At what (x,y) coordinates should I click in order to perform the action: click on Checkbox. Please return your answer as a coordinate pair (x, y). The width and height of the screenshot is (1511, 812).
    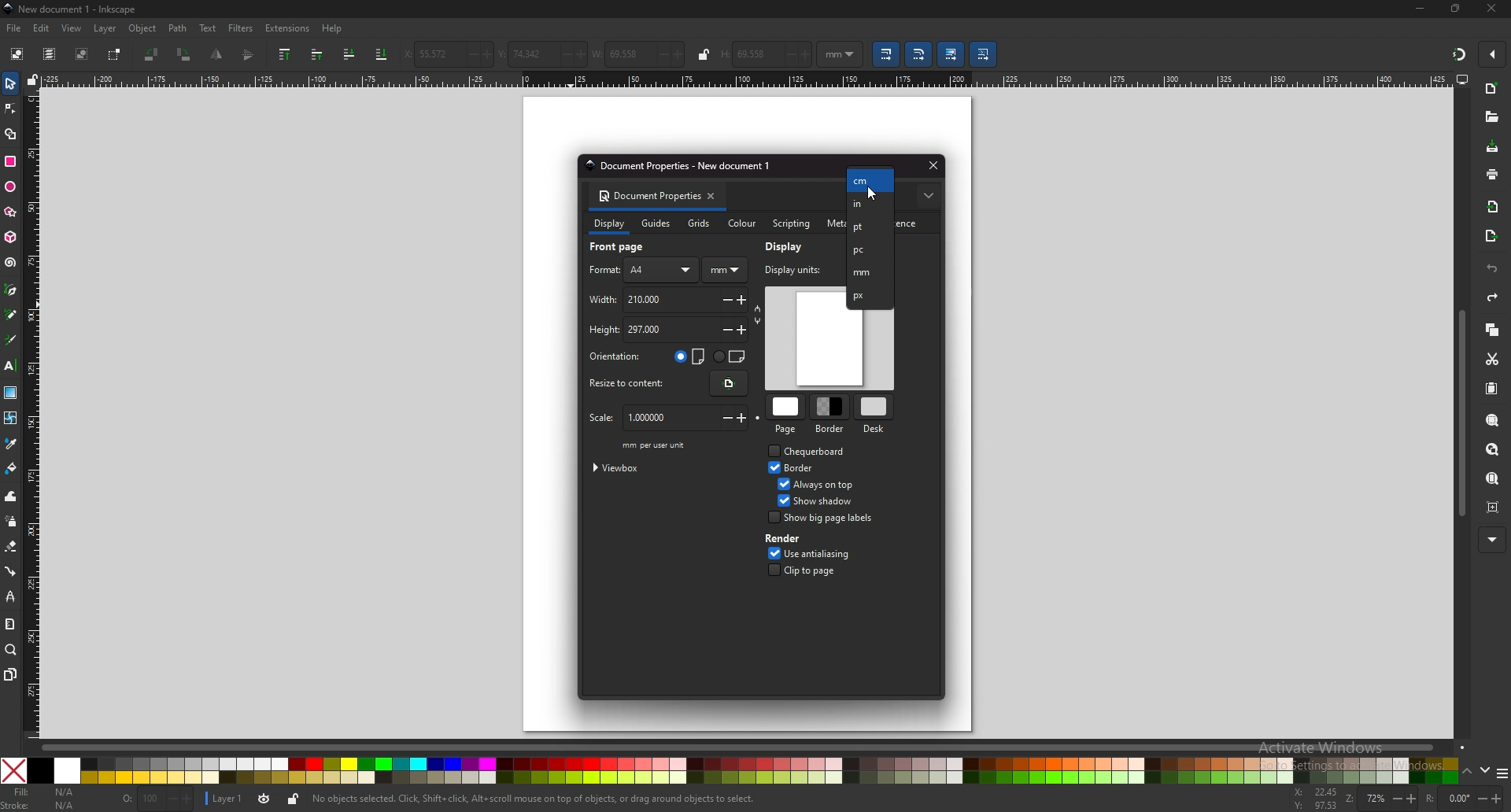
    Looking at the image, I should click on (770, 450).